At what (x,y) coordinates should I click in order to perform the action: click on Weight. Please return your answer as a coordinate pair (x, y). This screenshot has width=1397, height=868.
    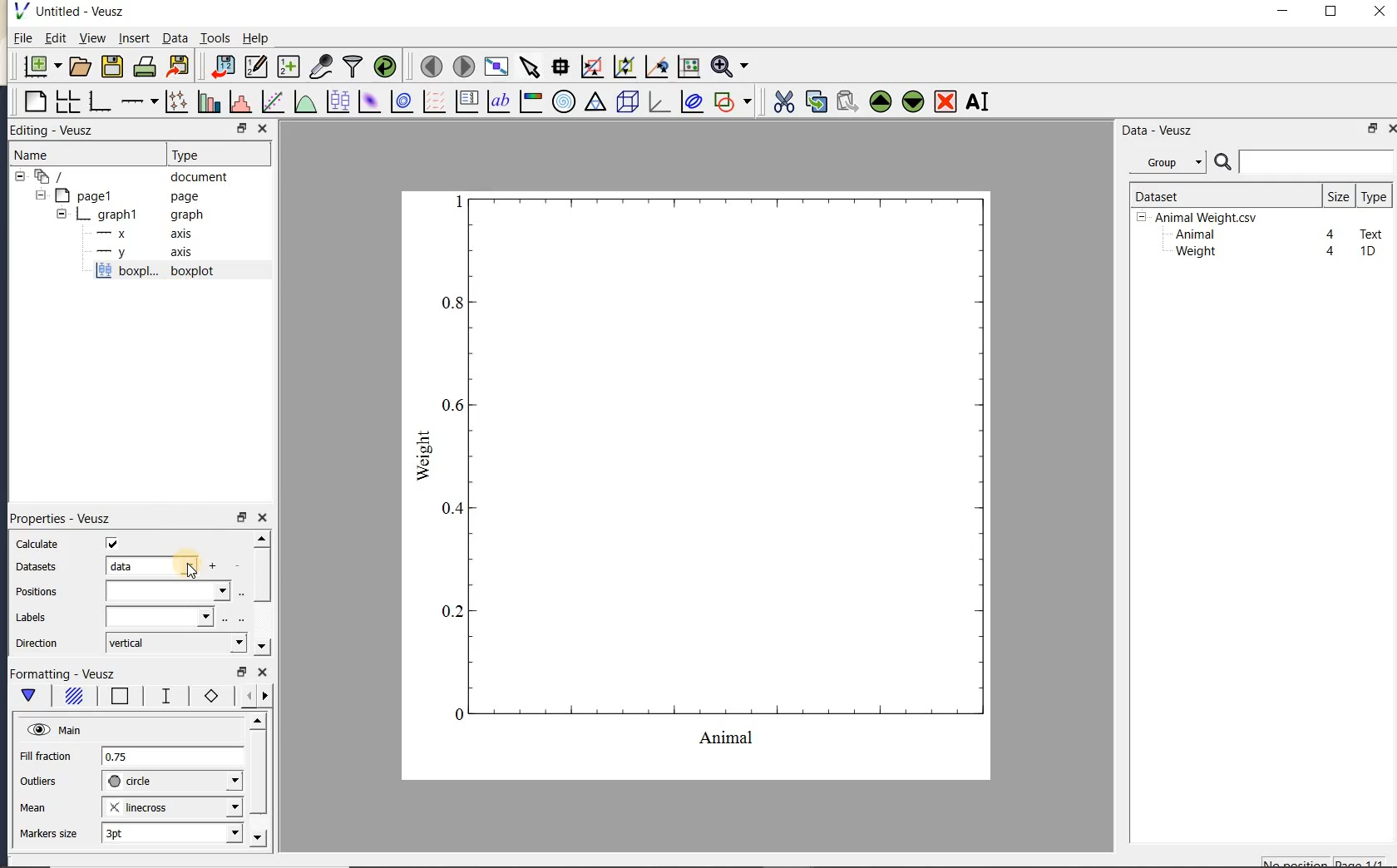
    Looking at the image, I should click on (1194, 253).